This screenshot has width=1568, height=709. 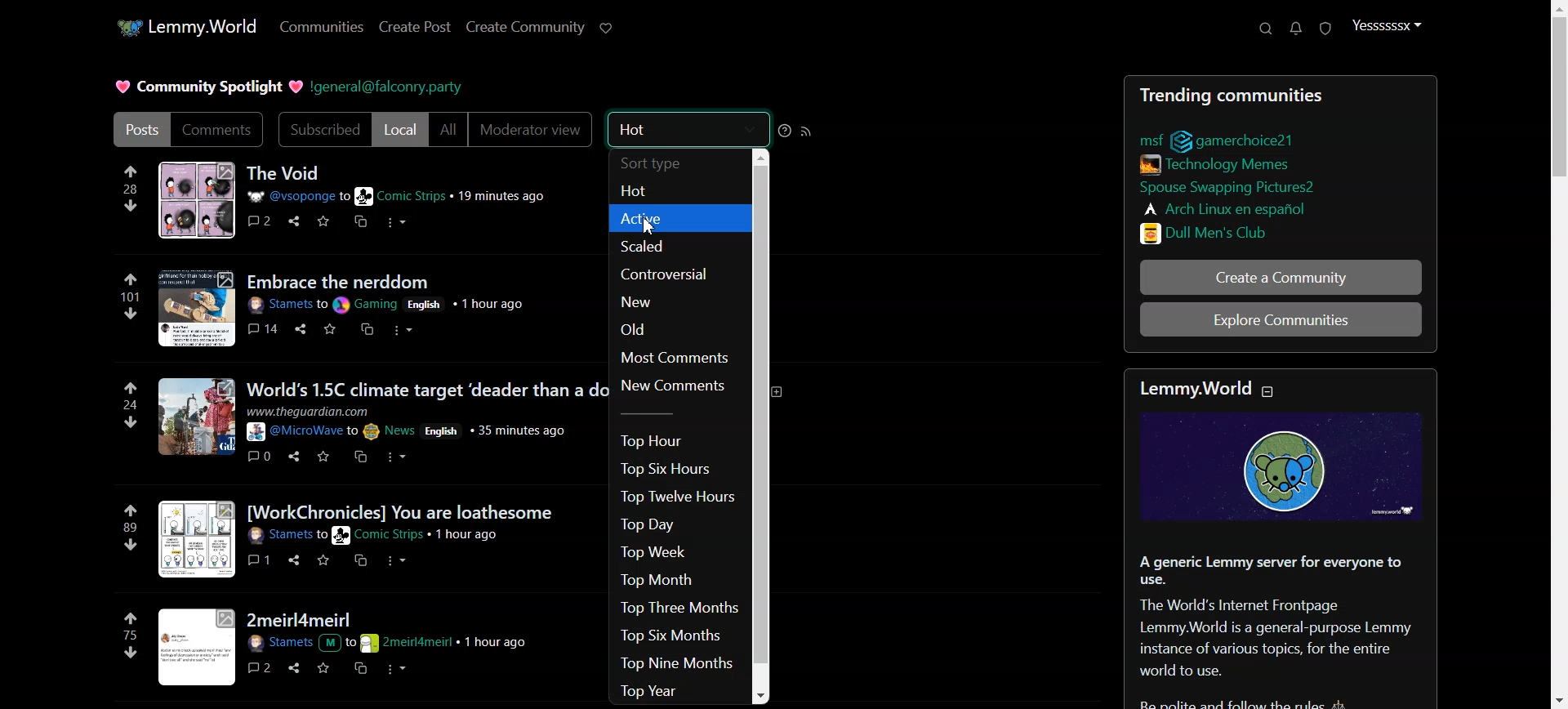 I want to click on post details, so click(x=414, y=422).